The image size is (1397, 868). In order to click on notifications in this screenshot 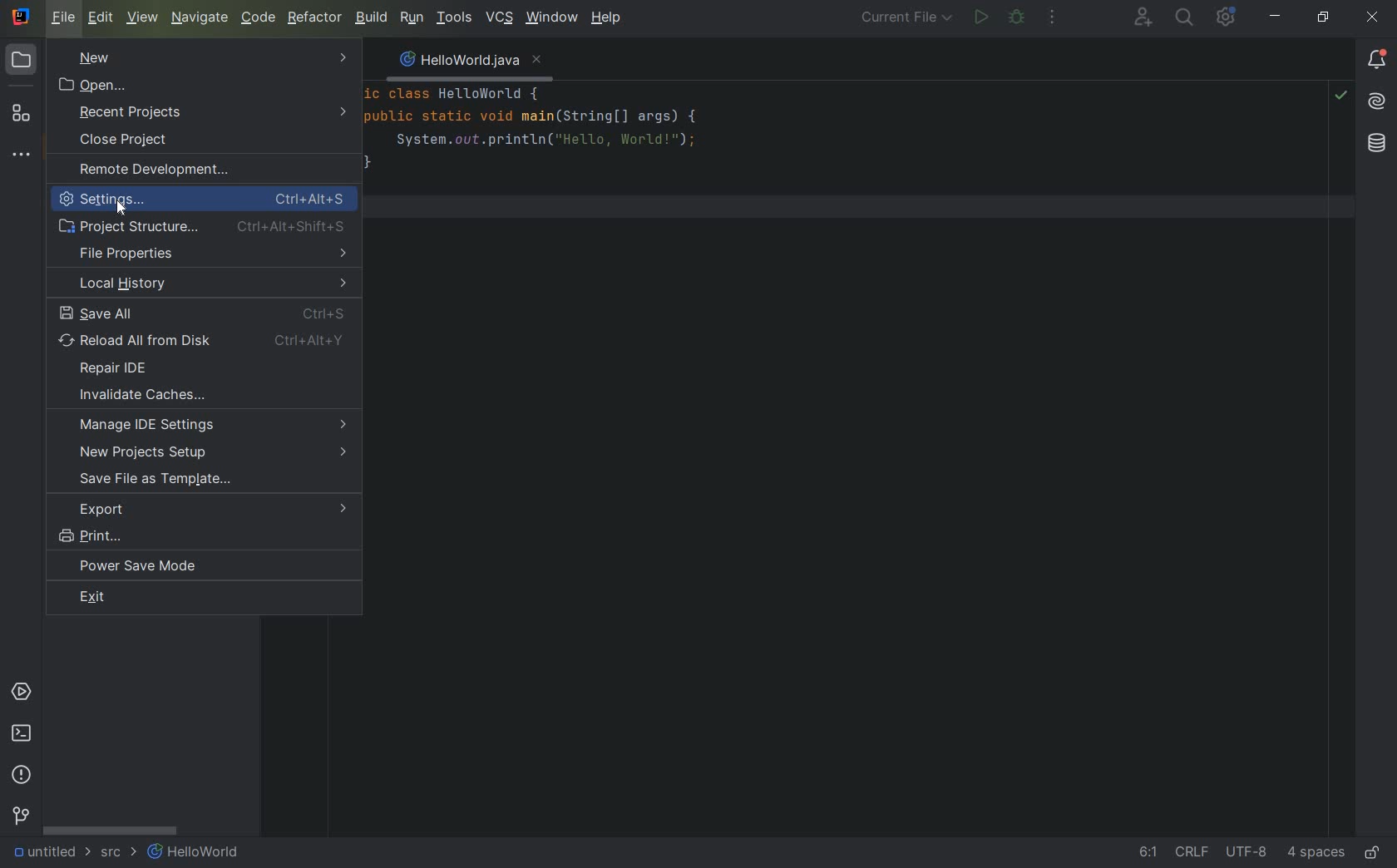, I will do `click(1376, 60)`.